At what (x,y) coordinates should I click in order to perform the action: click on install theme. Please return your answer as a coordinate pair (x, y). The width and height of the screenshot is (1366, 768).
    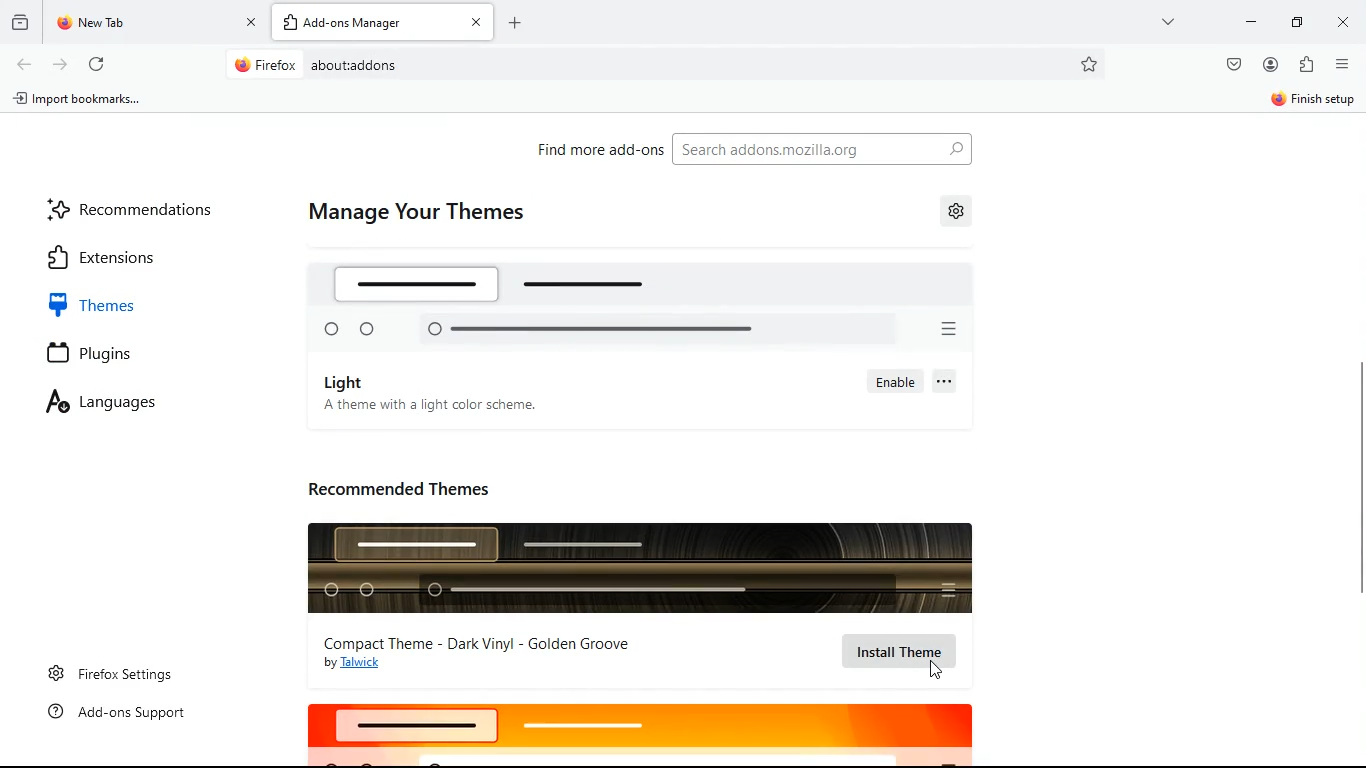
    Looking at the image, I should click on (902, 652).